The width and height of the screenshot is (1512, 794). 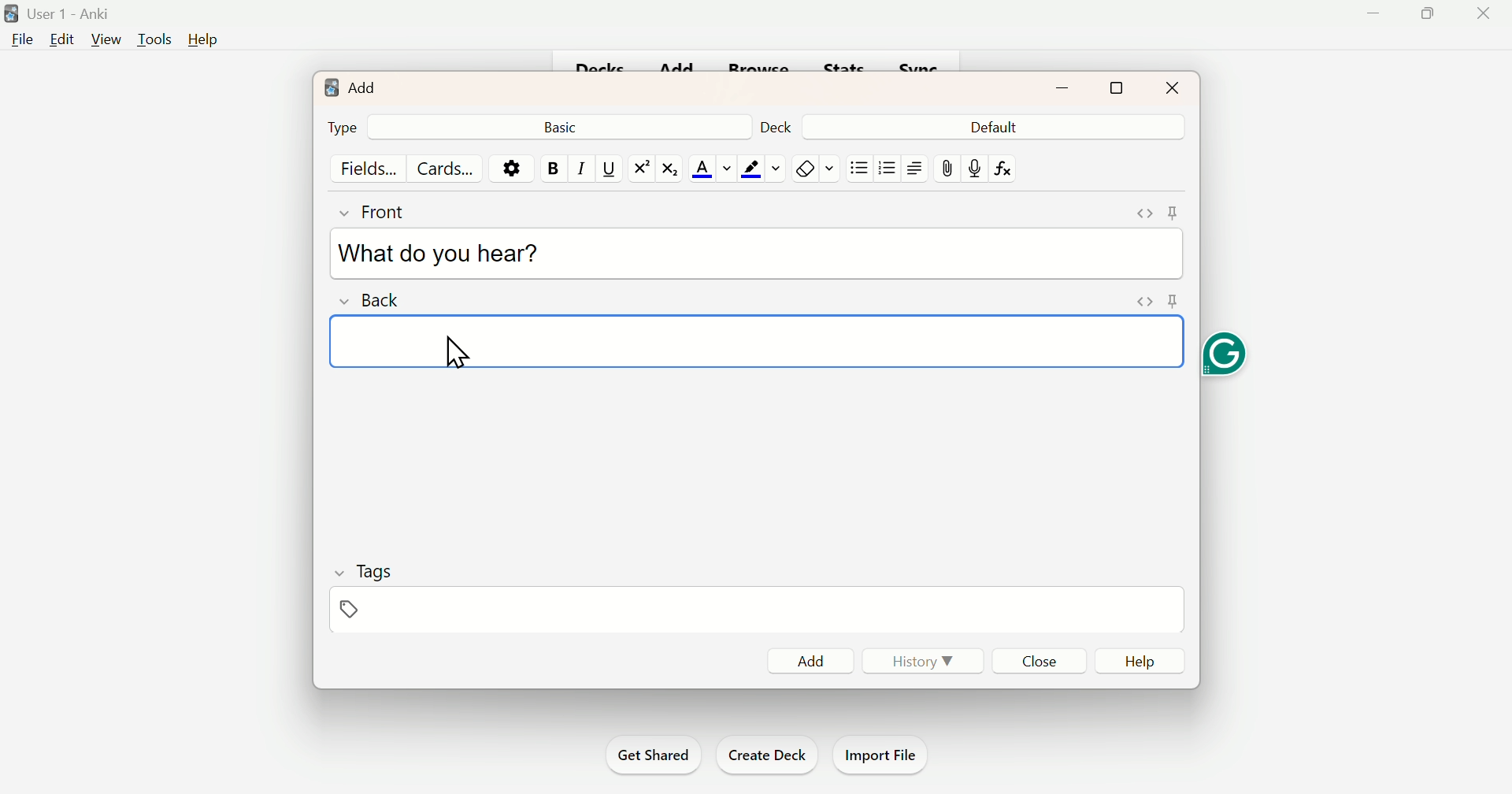 What do you see at coordinates (1173, 87) in the screenshot?
I see `Close` at bounding box center [1173, 87].